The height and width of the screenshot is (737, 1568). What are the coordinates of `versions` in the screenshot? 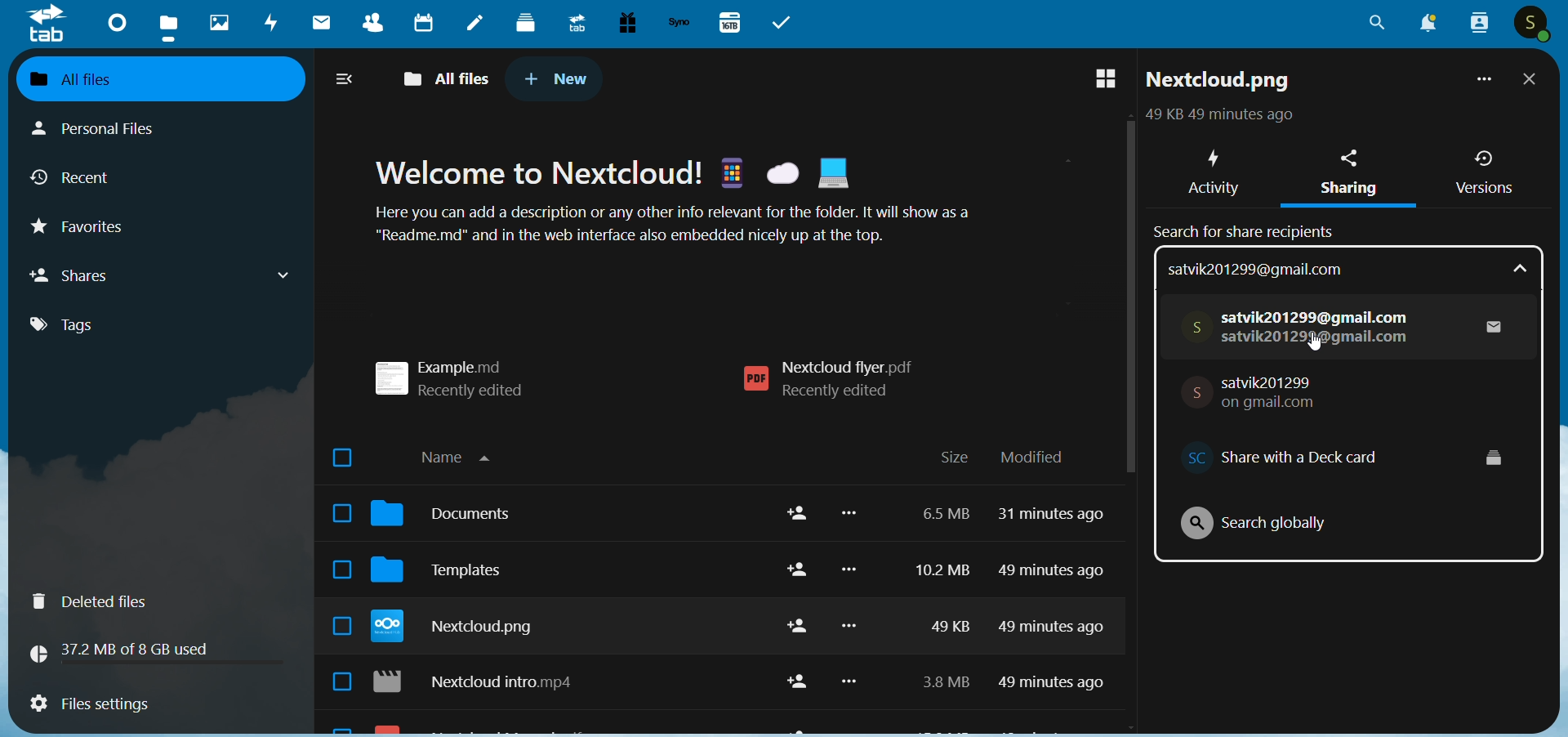 It's located at (1484, 172).